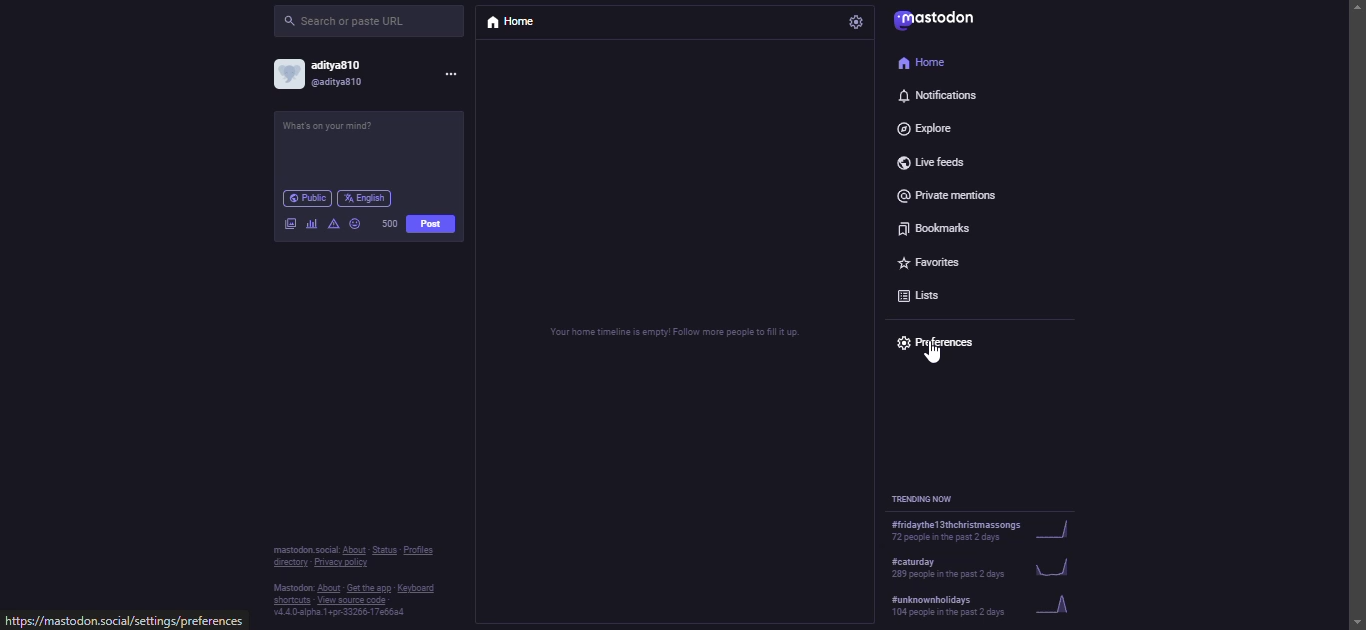  I want to click on trending, so click(981, 606).